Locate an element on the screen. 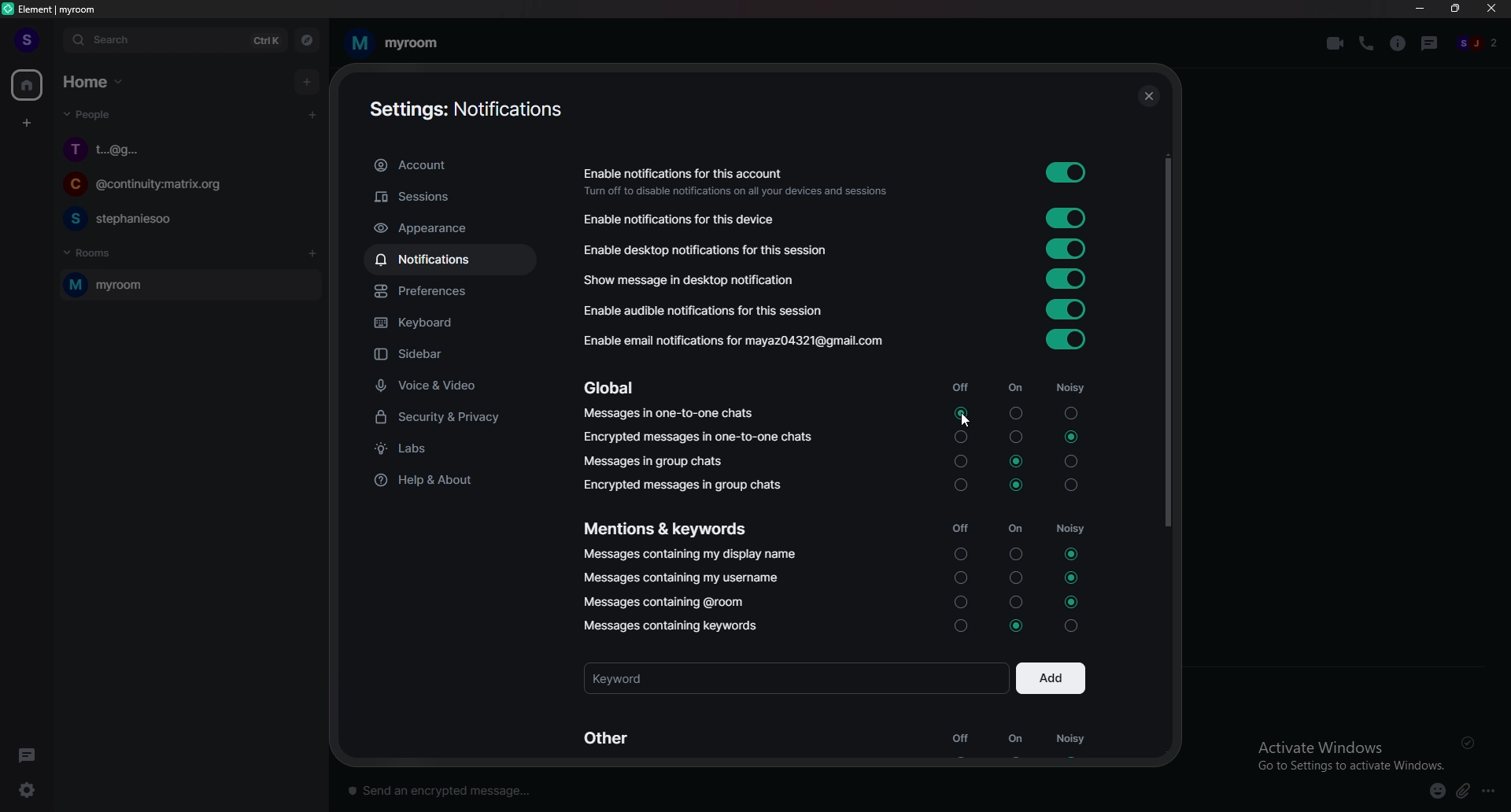 The image size is (1511, 812). scroll bar is located at coordinates (1166, 337).